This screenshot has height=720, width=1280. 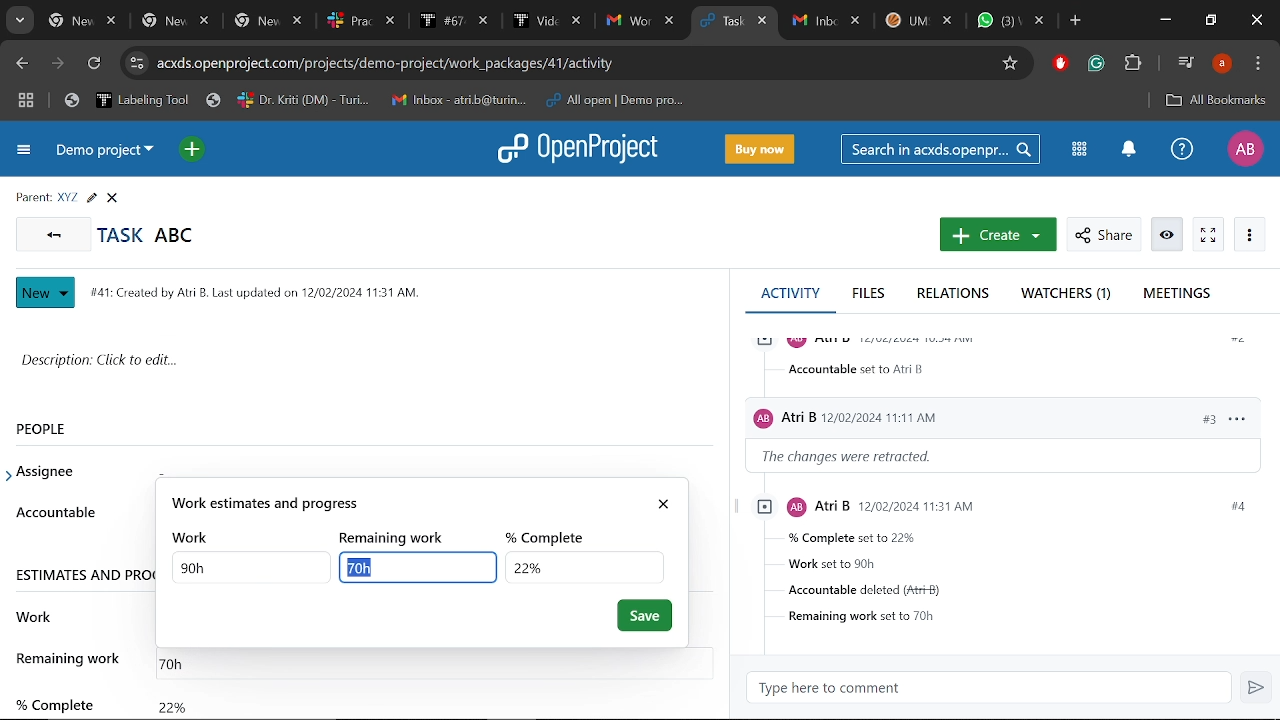 What do you see at coordinates (136, 63) in the screenshot?
I see `Cite information` at bounding box center [136, 63].